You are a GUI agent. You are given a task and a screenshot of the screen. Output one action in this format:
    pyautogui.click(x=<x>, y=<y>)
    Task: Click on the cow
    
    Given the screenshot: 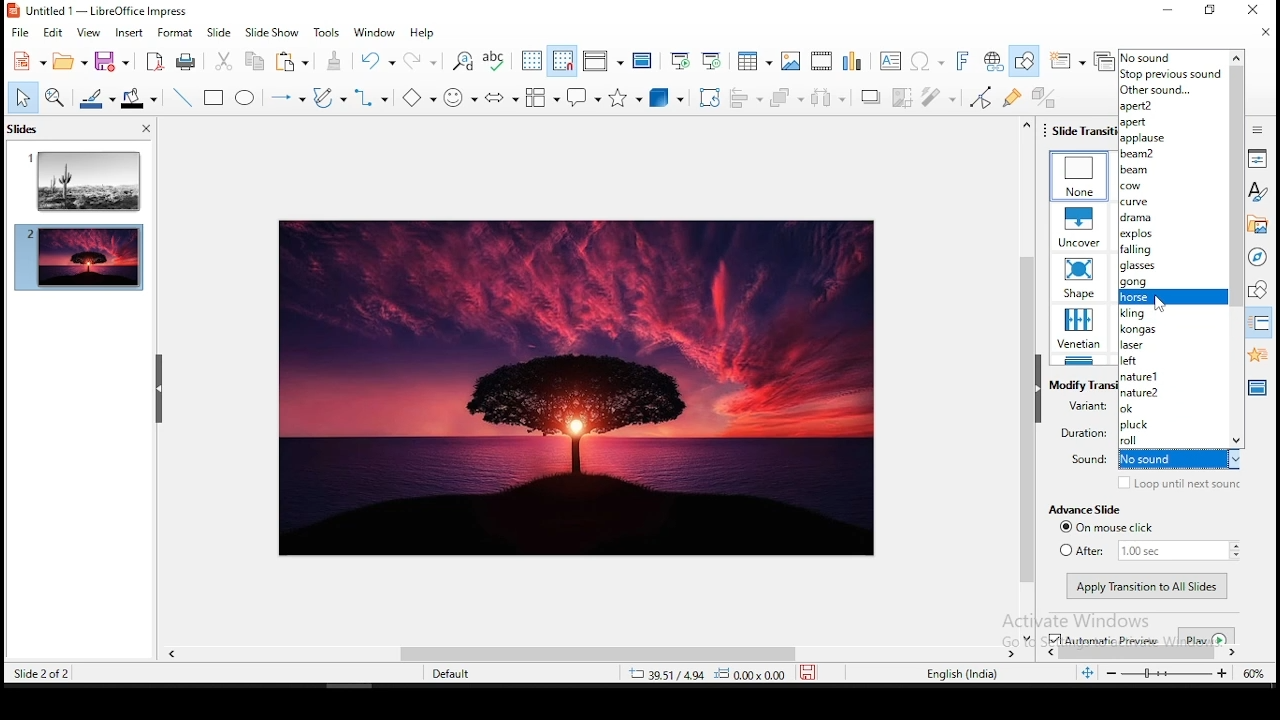 What is the action you would take?
    pyautogui.click(x=1171, y=186)
    